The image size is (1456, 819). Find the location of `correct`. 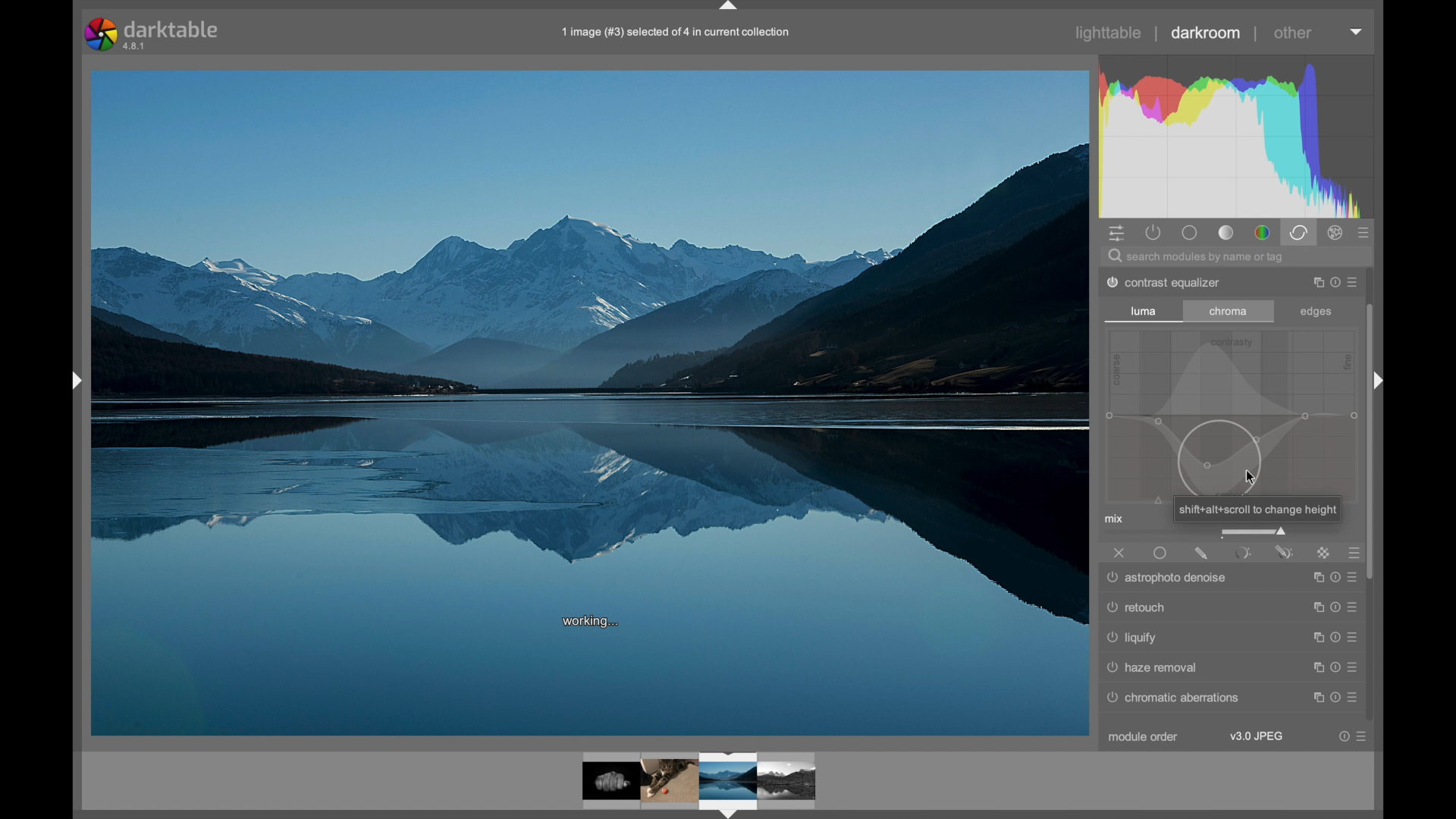

correct is located at coordinates (1298, 232).